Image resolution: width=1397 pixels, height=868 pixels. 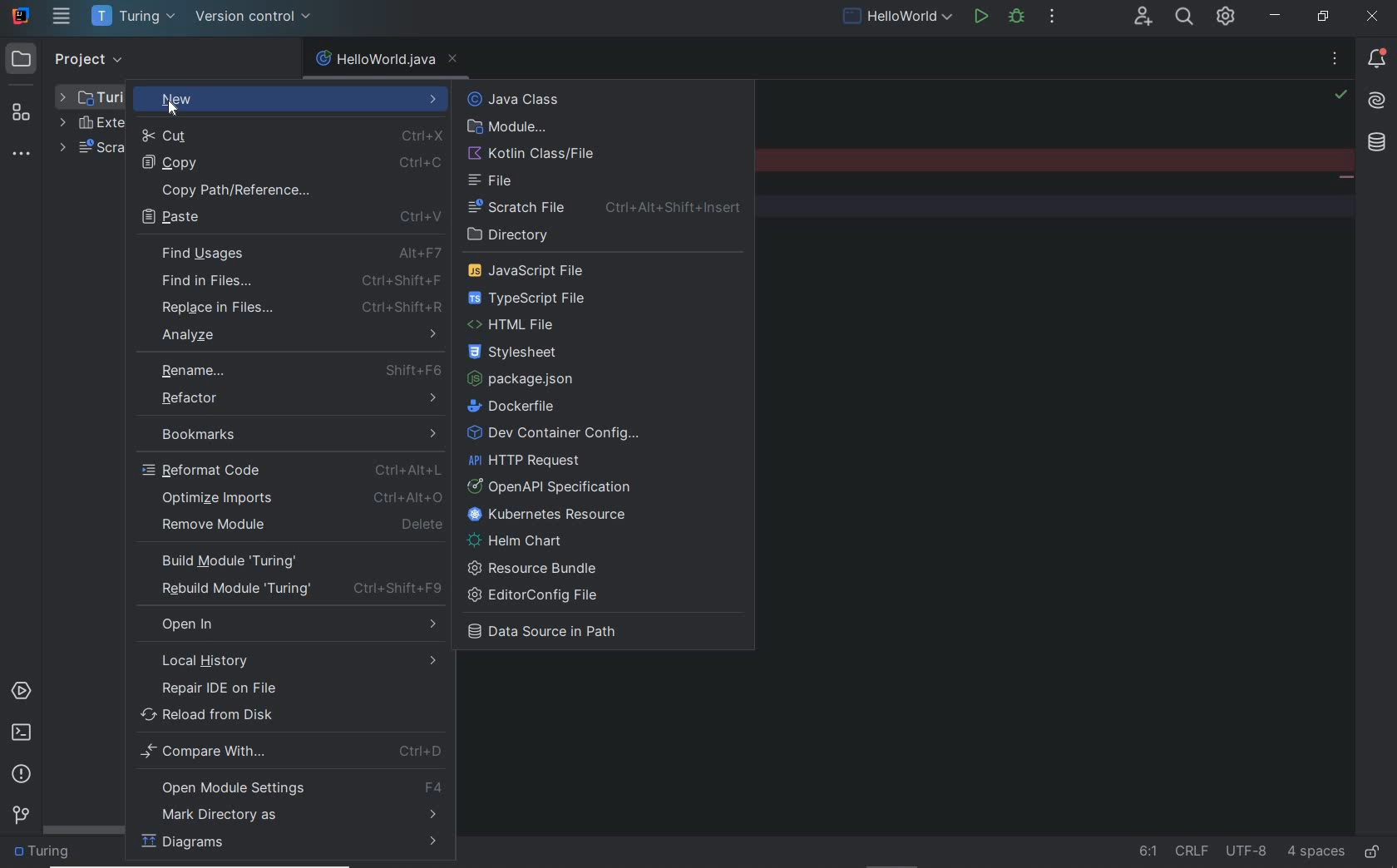 What do you see at coordinates (535, 298) in the screenshot?
I see `TypeScript File` at bounding box center [535, 298].